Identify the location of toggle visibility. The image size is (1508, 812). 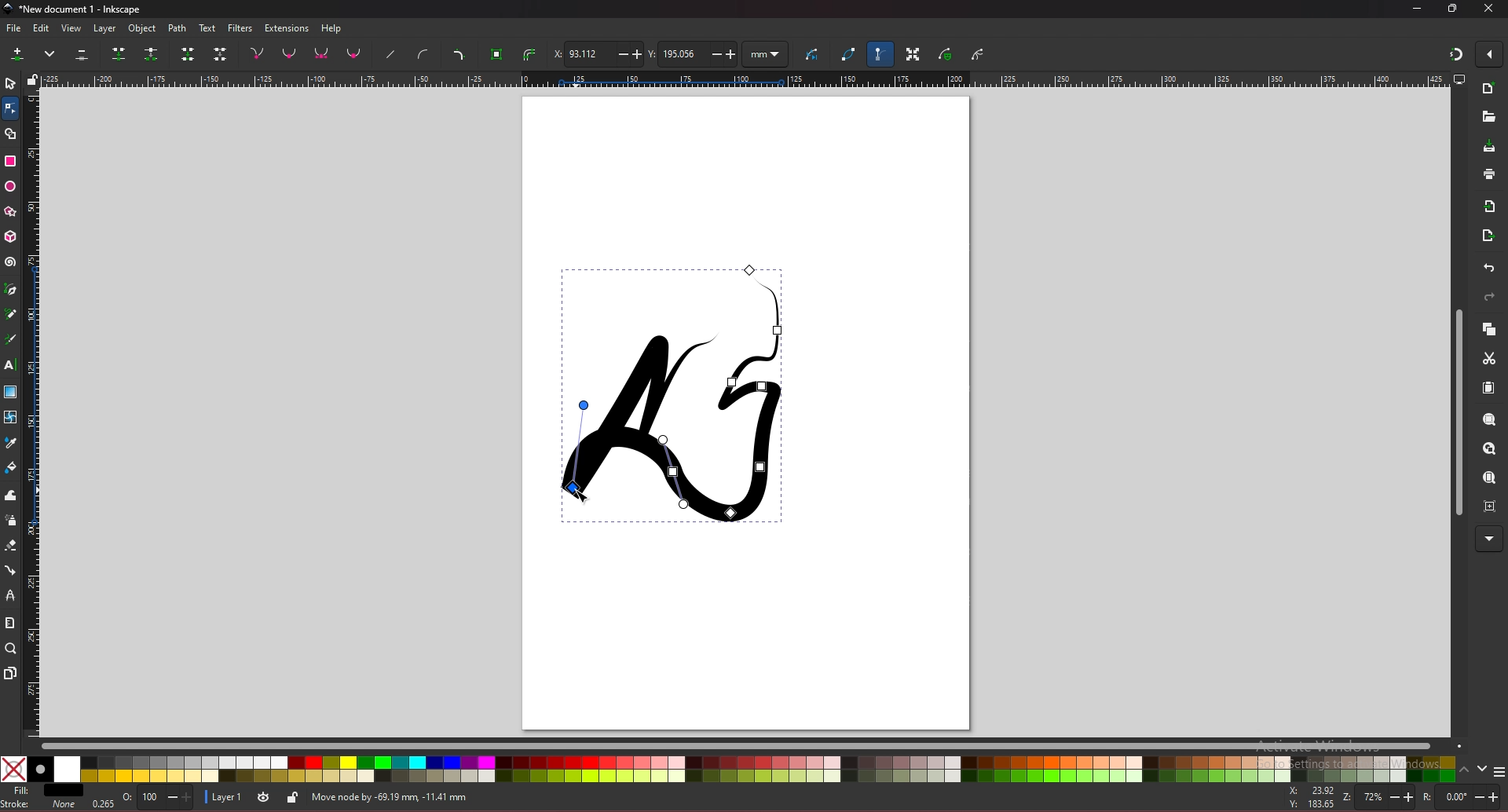
(265, 796).